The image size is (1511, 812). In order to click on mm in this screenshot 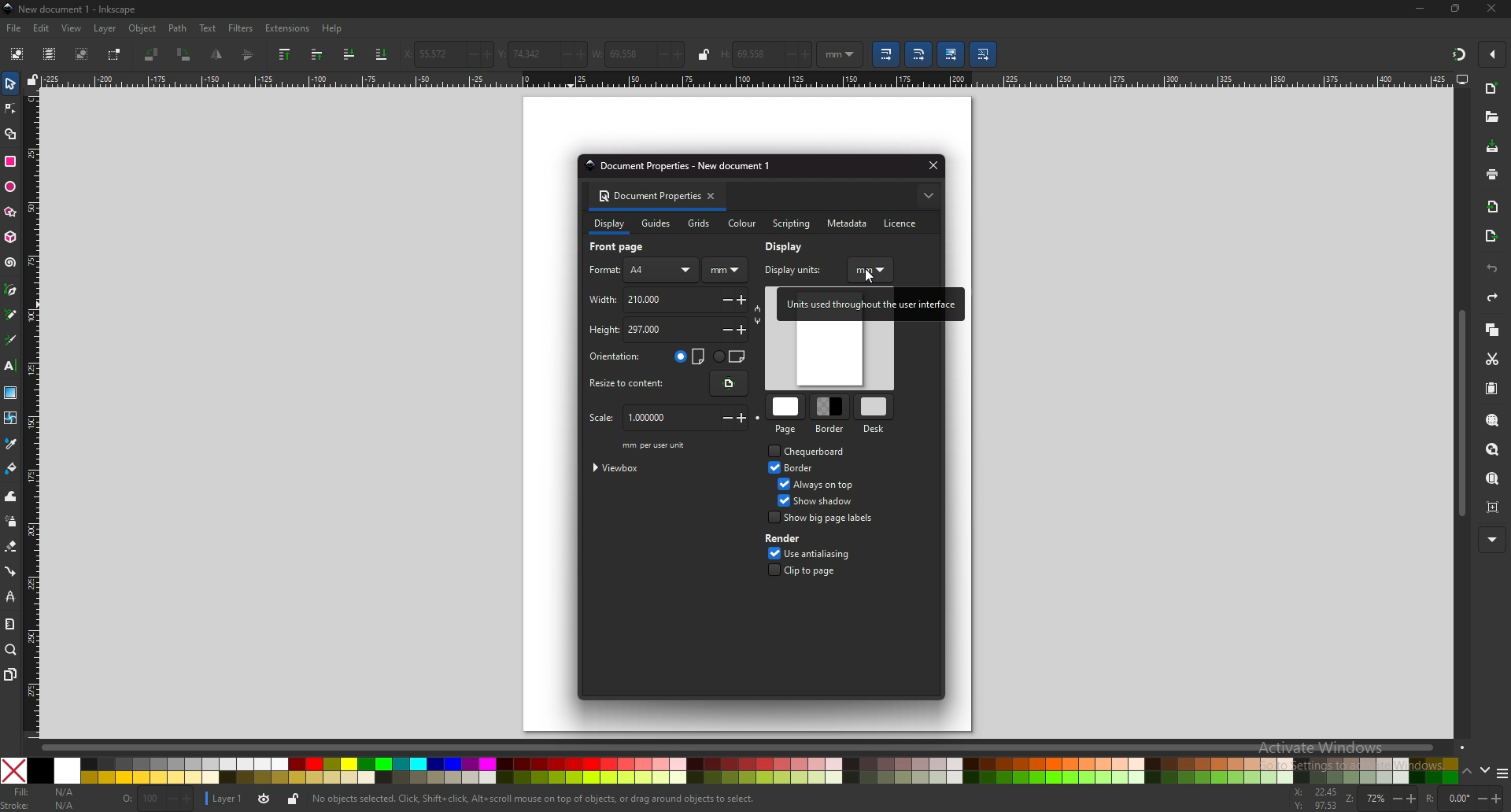, I will do `click(725, 271)`.